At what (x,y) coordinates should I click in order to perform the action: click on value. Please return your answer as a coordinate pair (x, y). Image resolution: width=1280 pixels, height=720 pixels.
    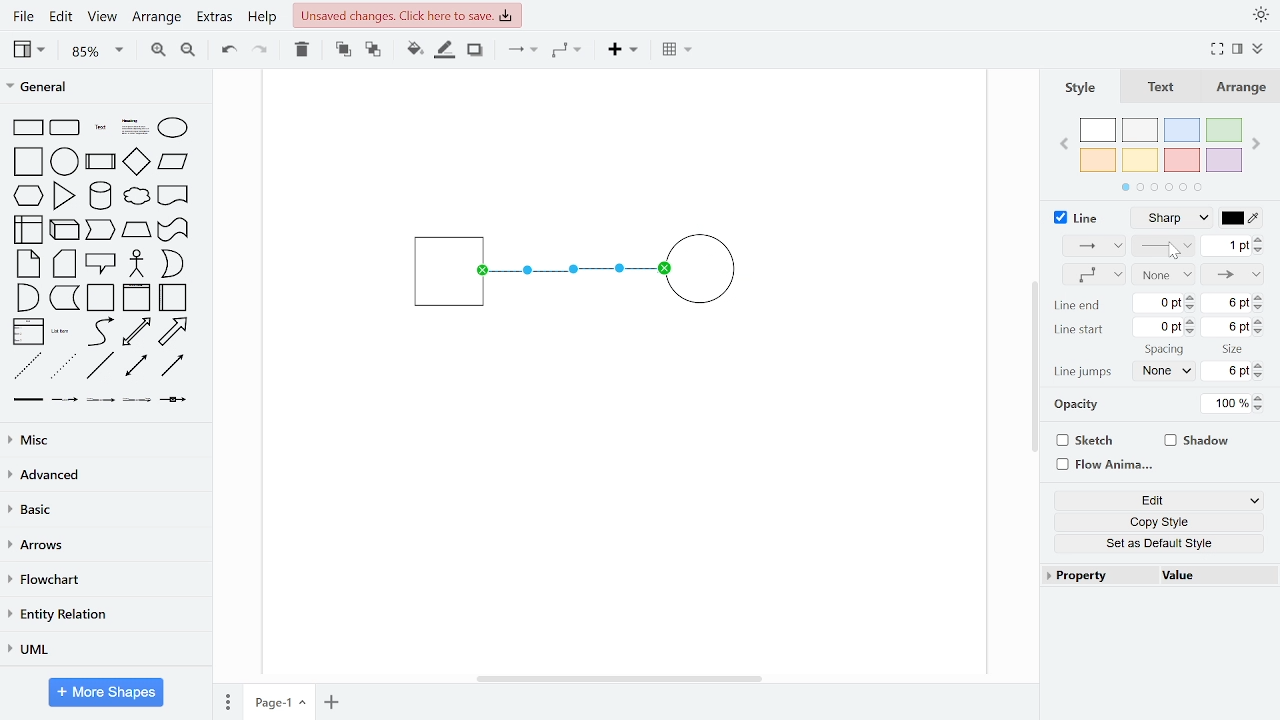
    Looking at the image, I should click on (1213, 575).